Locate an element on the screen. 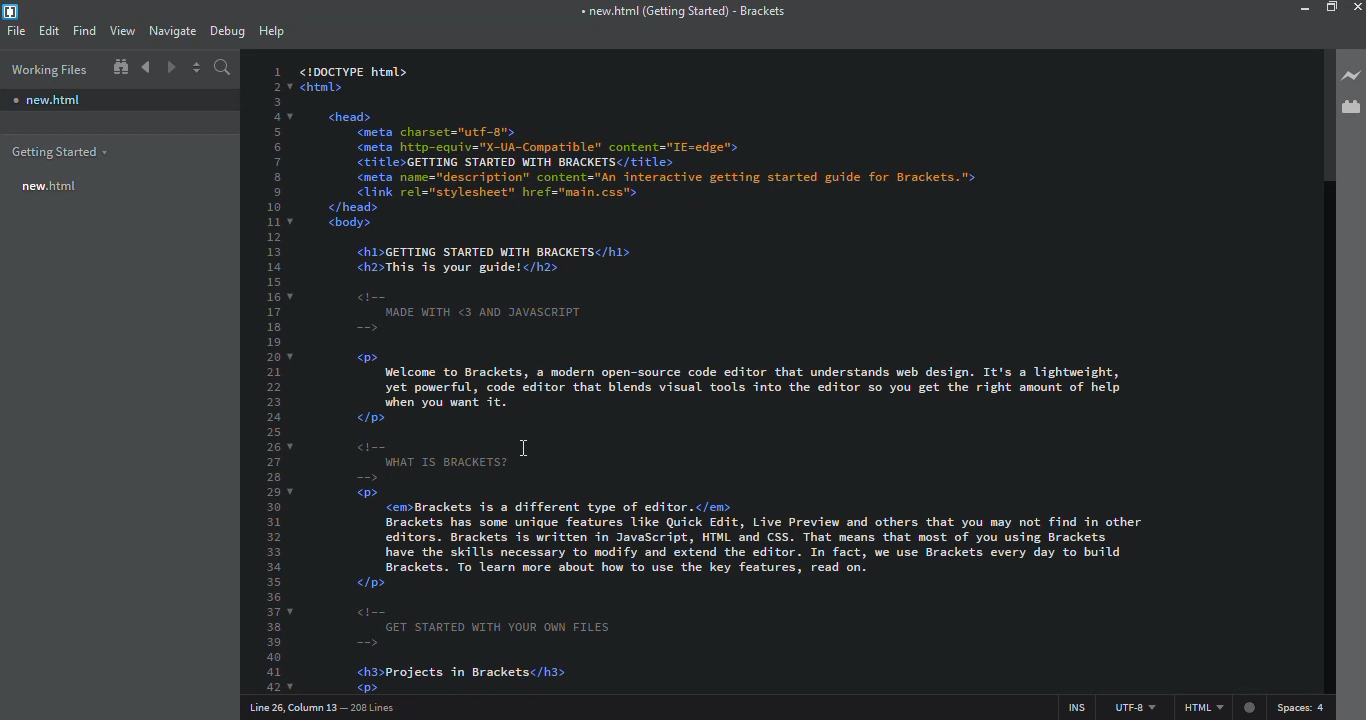 The width and height of the screenshot is (1366, 720). test code is located at coordinates (799, 371).